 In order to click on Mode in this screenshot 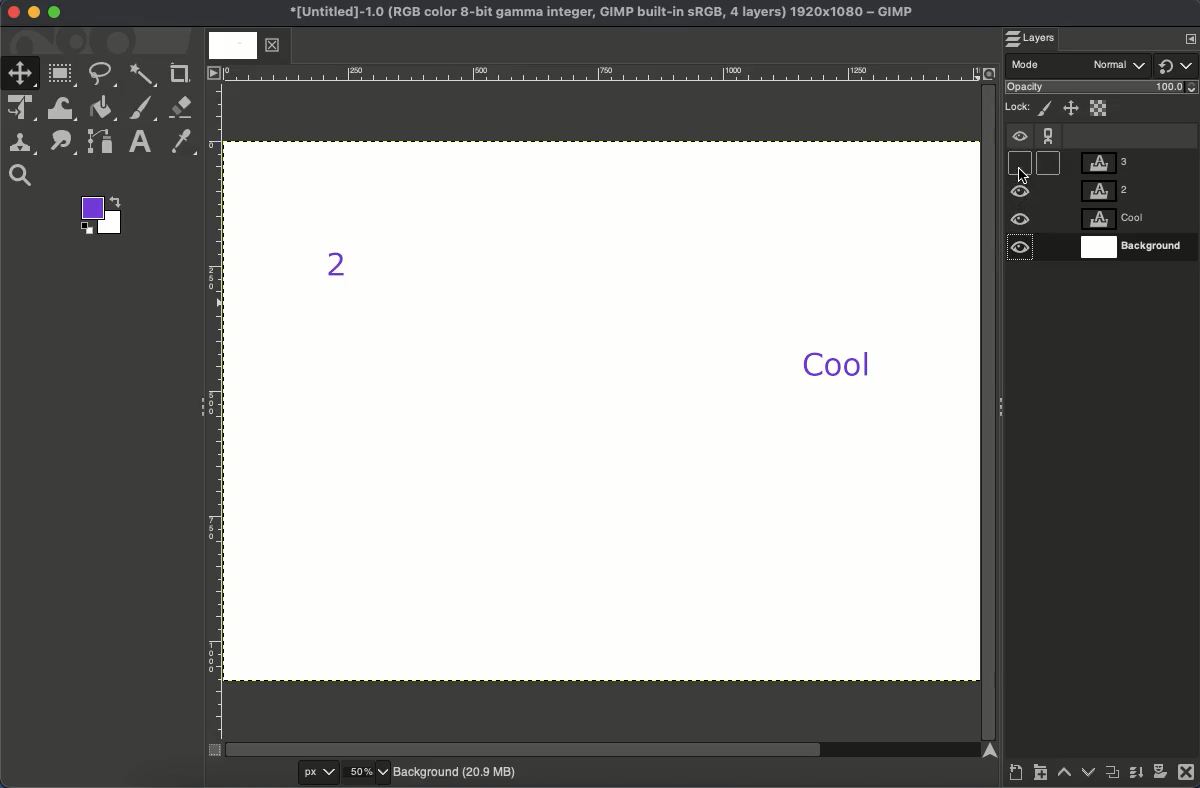, I will do `click(1080, 66)`.